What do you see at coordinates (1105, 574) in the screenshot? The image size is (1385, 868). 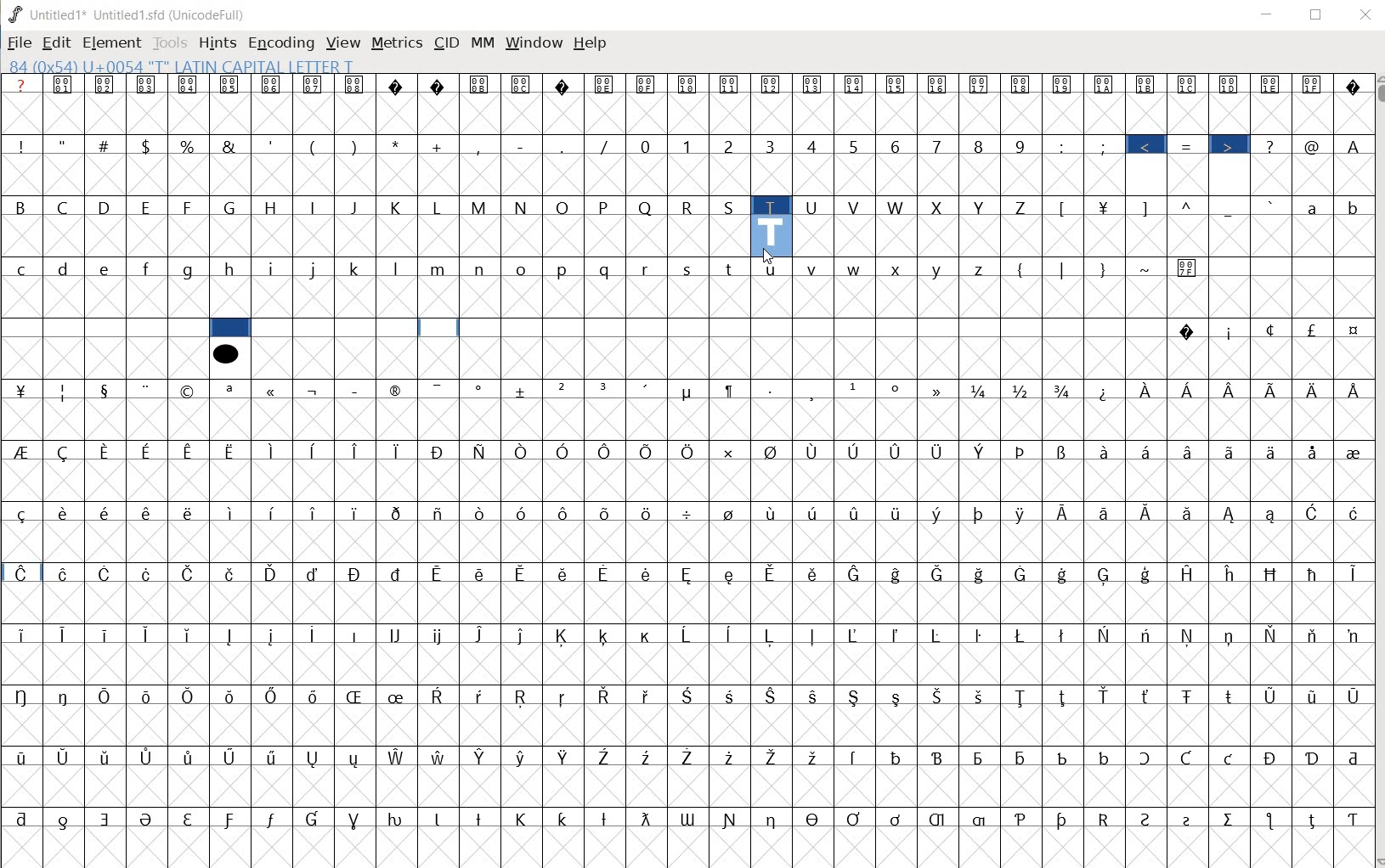 I see `Symbol` at bounding box center [1105, 574].